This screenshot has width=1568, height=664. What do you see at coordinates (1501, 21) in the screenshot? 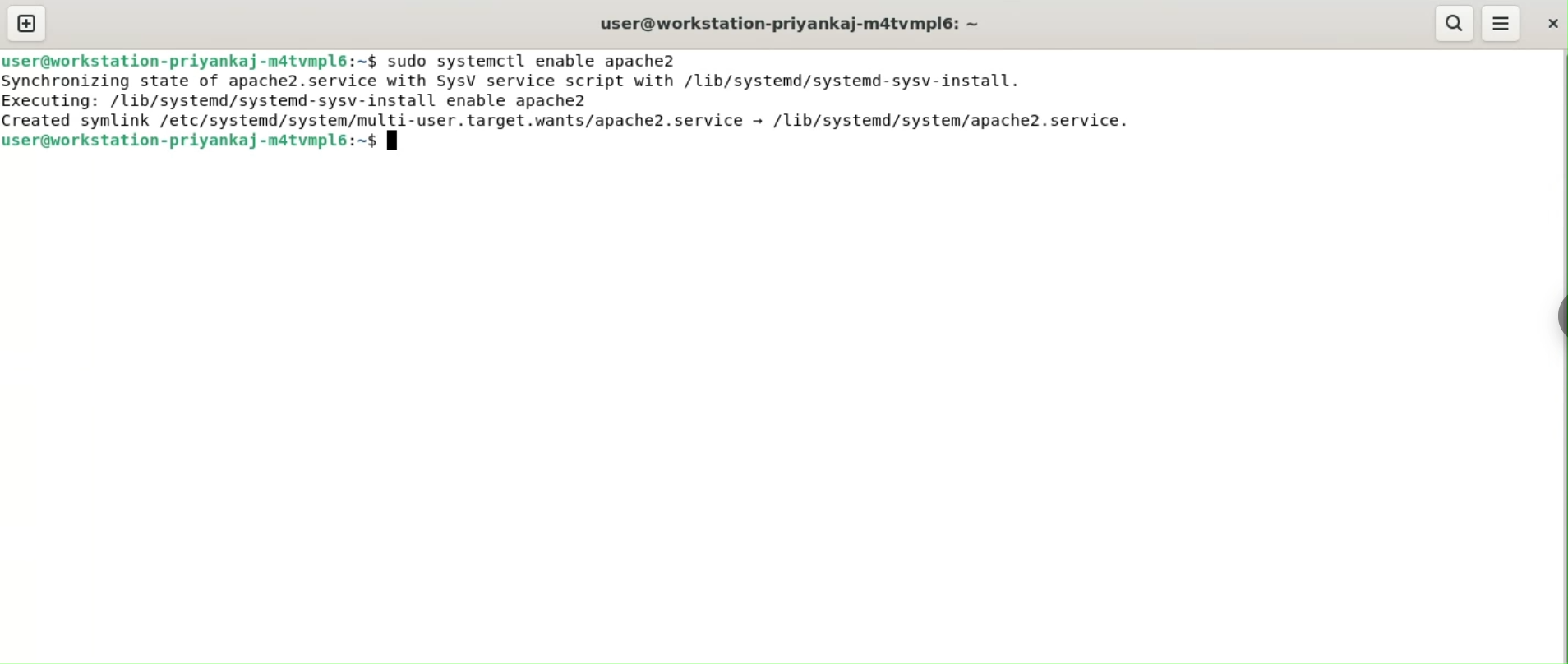
I see `More Options` at bounding box center [1501, 21].